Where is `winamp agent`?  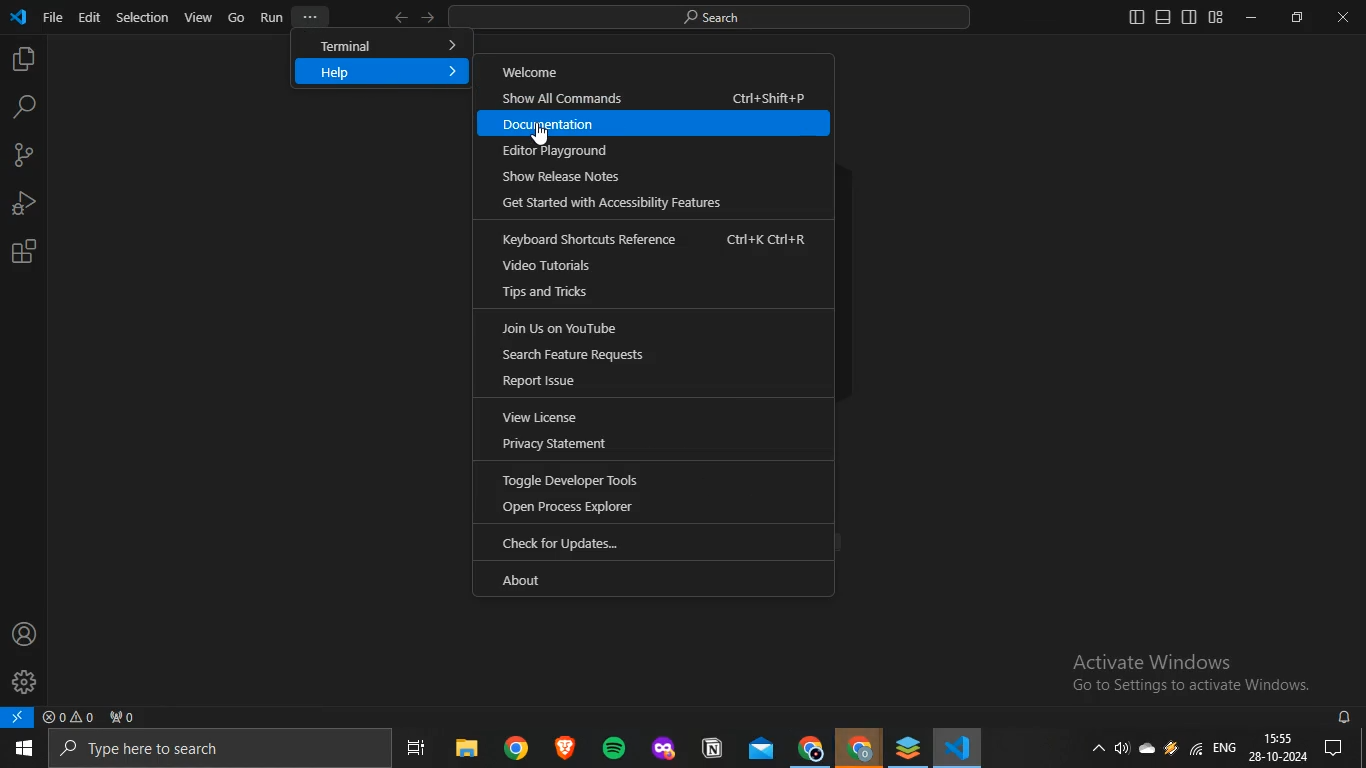
winamp agent is located at coordinates (1171, 752).